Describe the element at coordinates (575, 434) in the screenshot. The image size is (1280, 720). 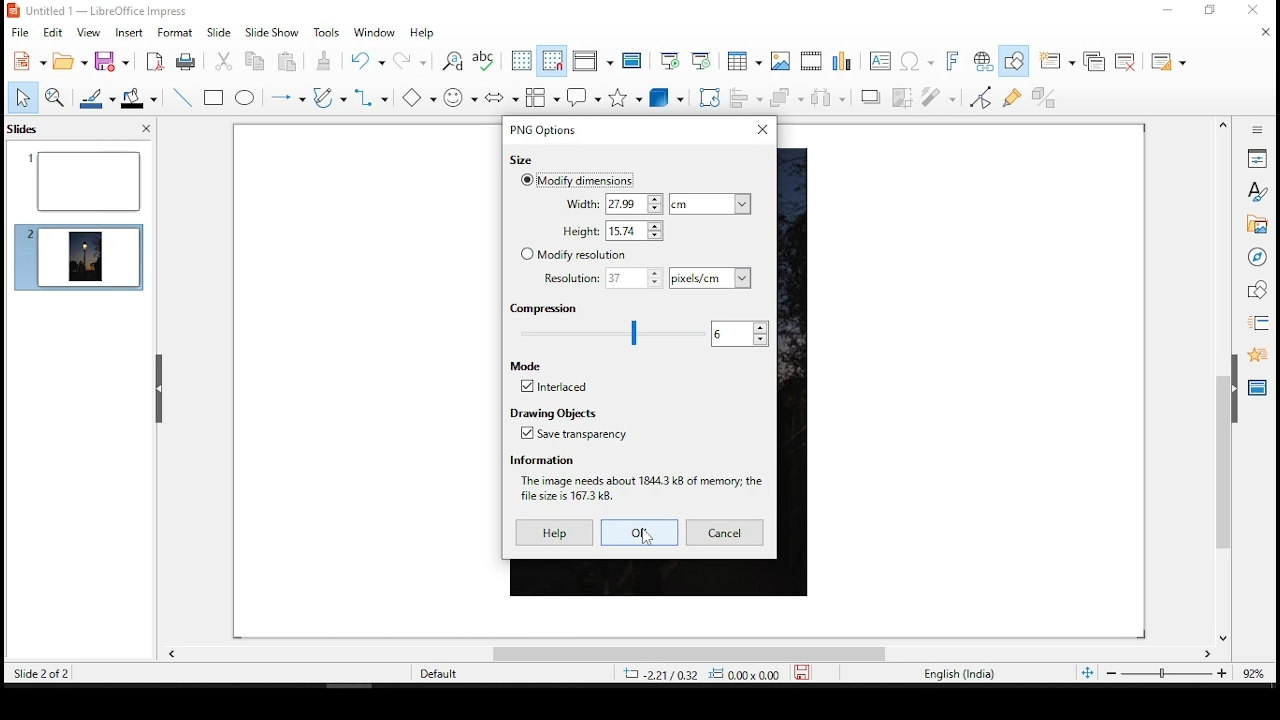
I see `save transperancy` at that location.